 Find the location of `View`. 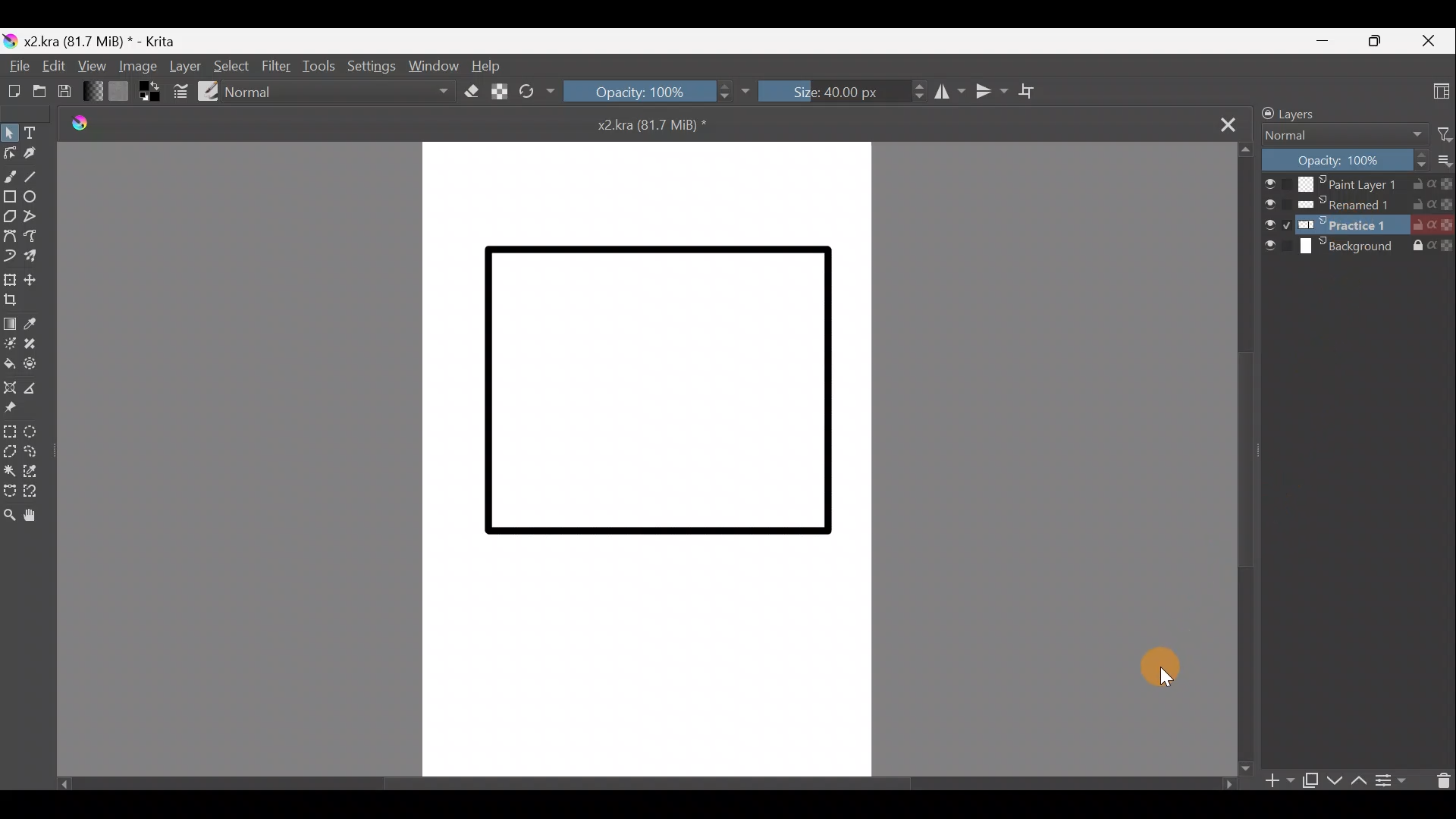

View is located at coordinates (89, 64).